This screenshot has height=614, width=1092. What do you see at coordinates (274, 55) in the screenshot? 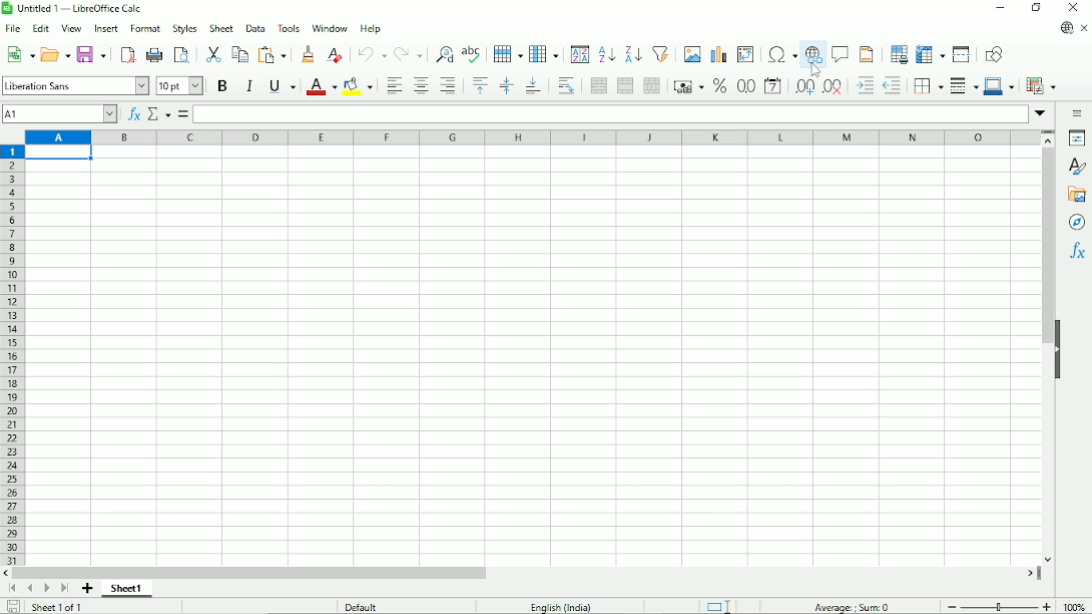
I see `Paste` at bounding box center [274, 55].